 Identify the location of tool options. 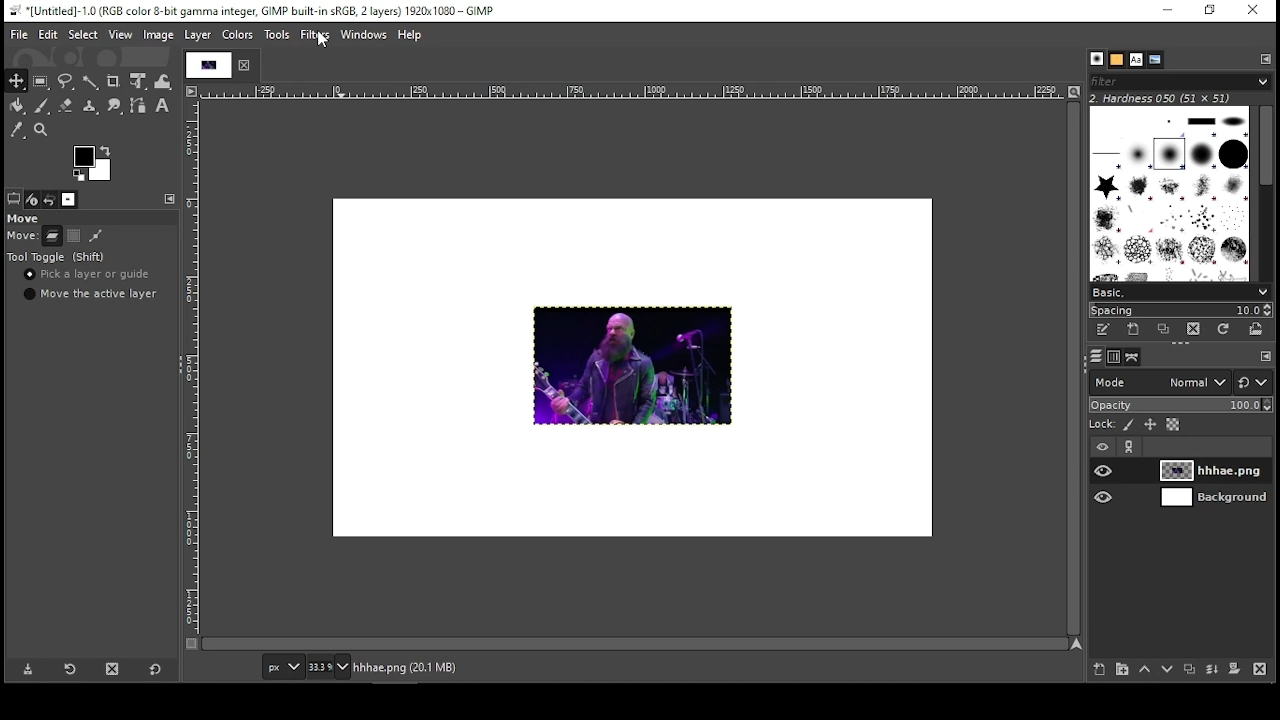
(12, 199).